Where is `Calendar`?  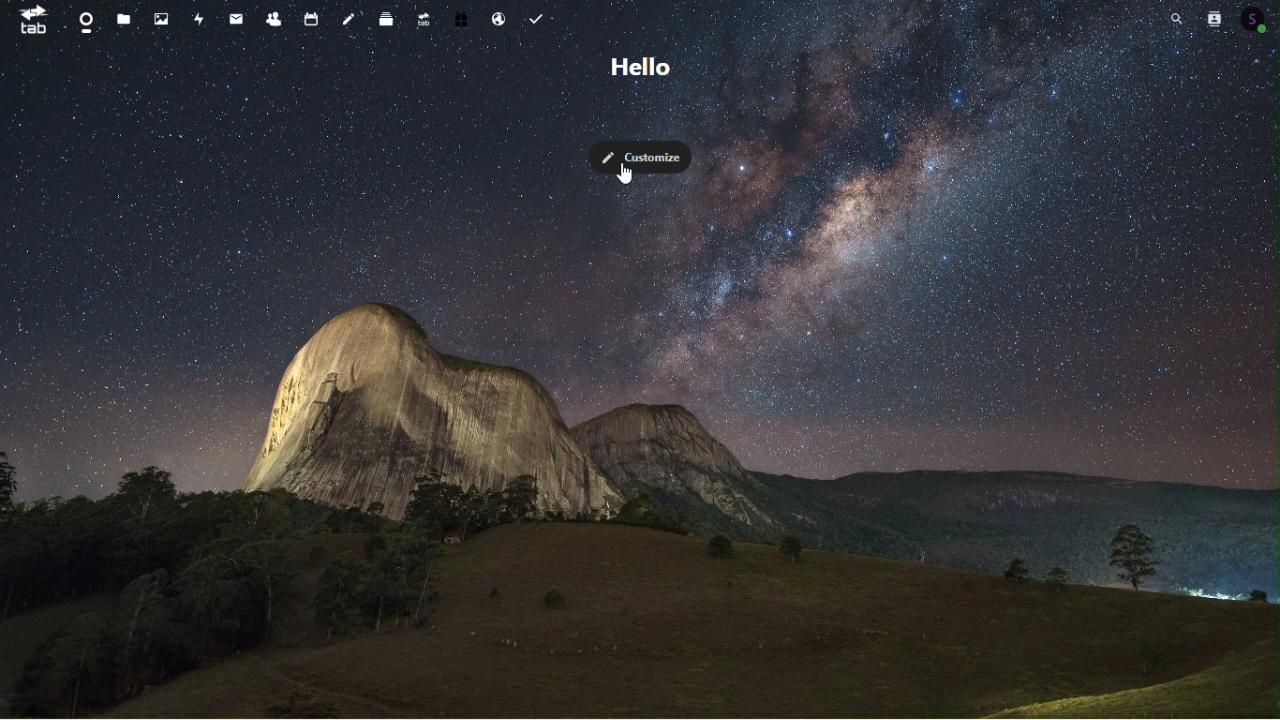
Calendar is located at coordinates (315, 19).